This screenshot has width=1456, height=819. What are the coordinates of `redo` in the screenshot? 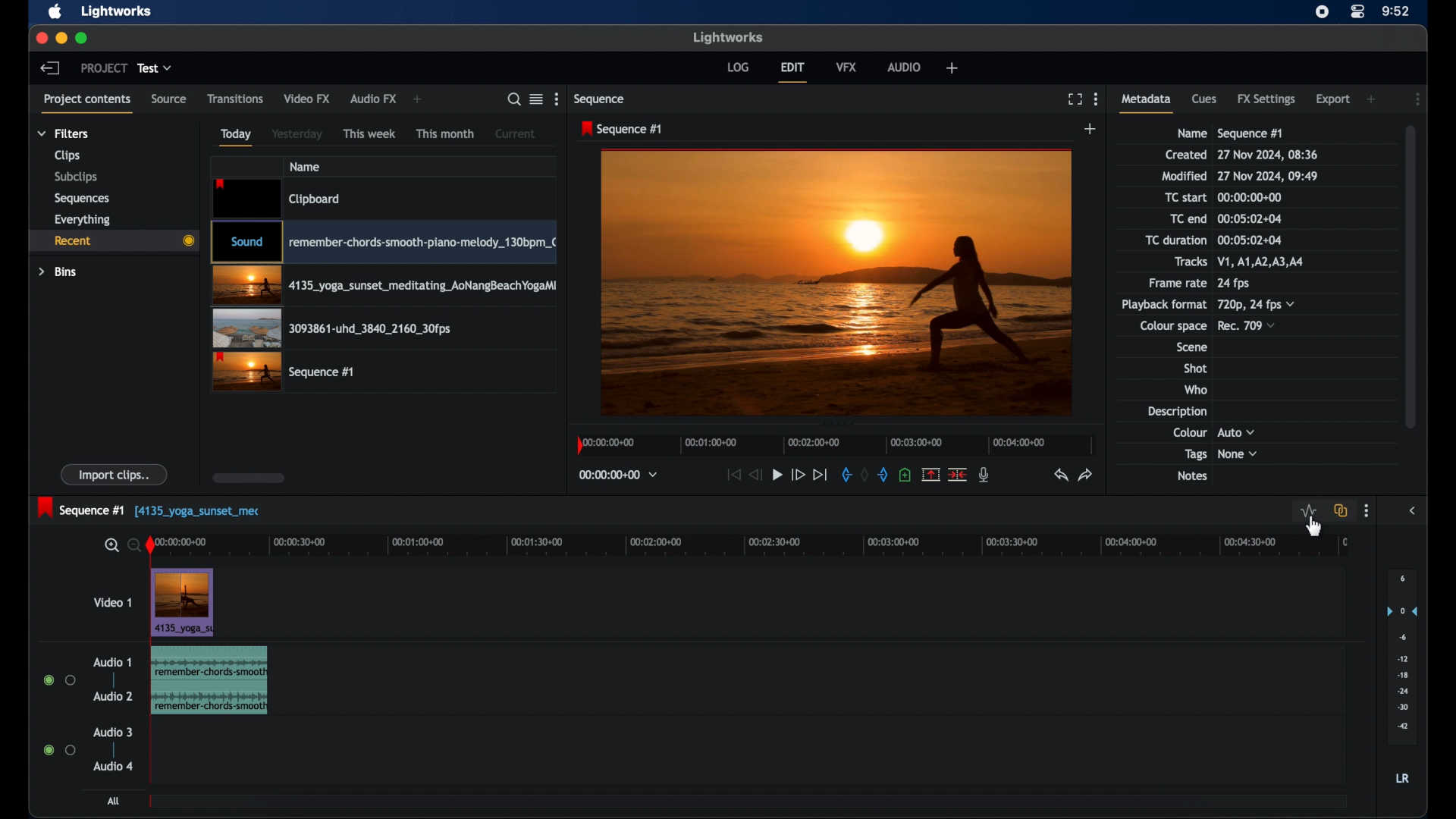 It's located at (1086, 474).